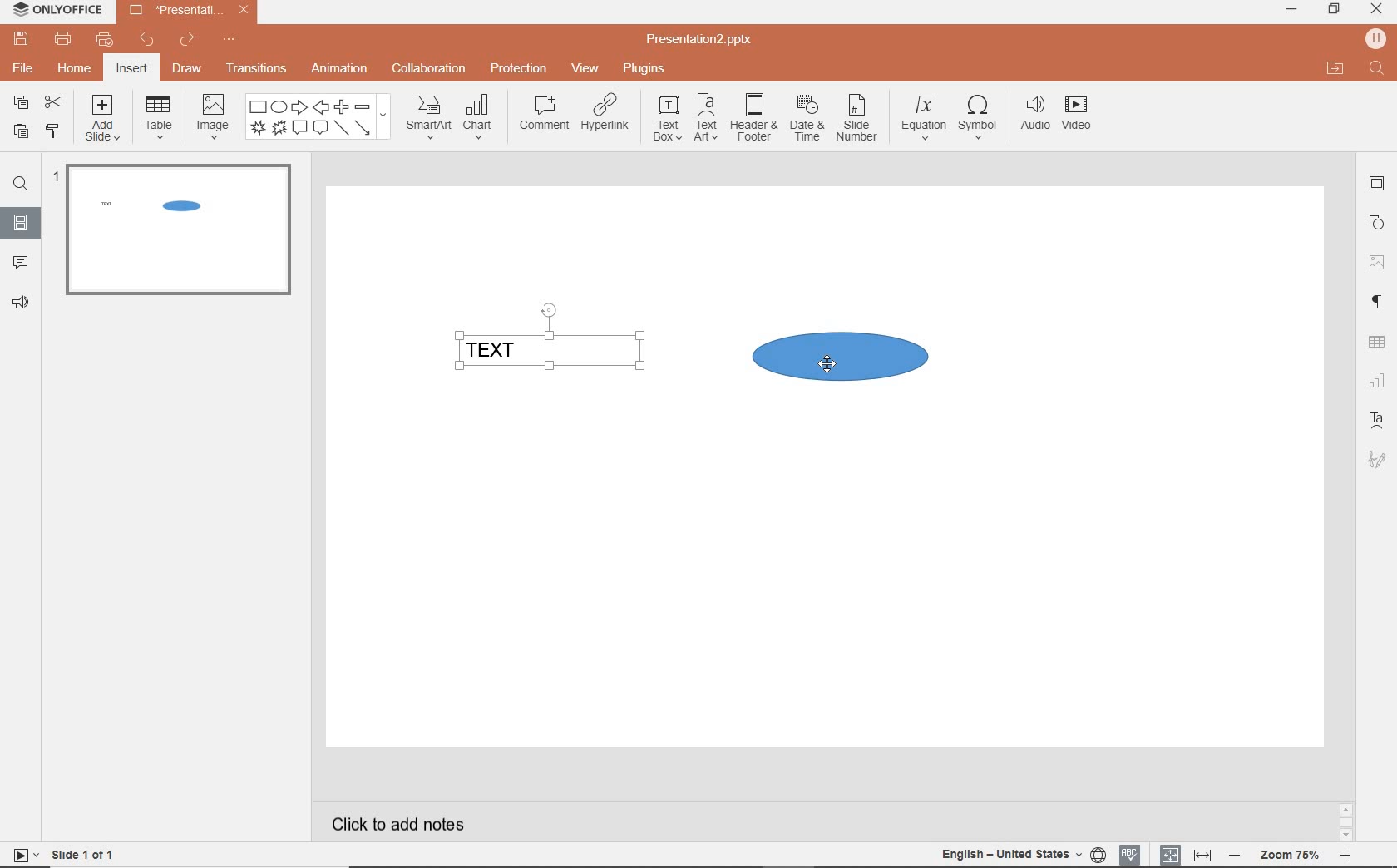 The width and height of the screenshot is (1397, 868). I want to click on video, so click(1078, 116).